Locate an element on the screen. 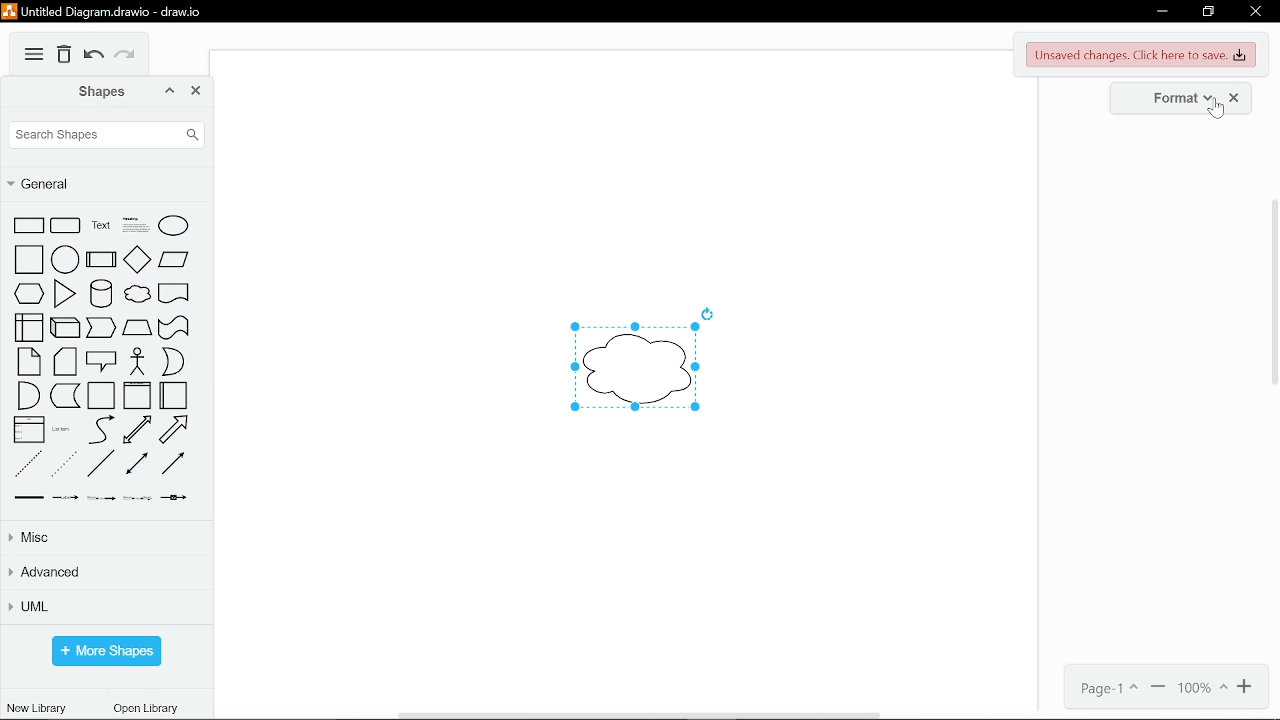  restore down is located at coordinates (1208, 11).